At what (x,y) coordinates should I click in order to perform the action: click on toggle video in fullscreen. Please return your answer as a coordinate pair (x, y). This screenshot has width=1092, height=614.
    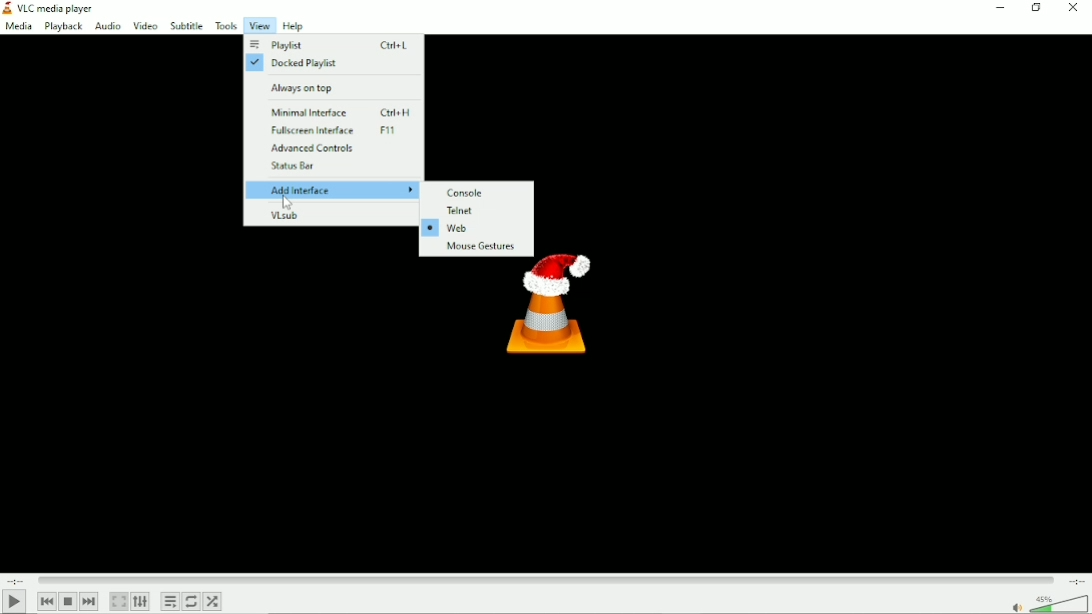
    Looking at the image, I should click on (118, 602).